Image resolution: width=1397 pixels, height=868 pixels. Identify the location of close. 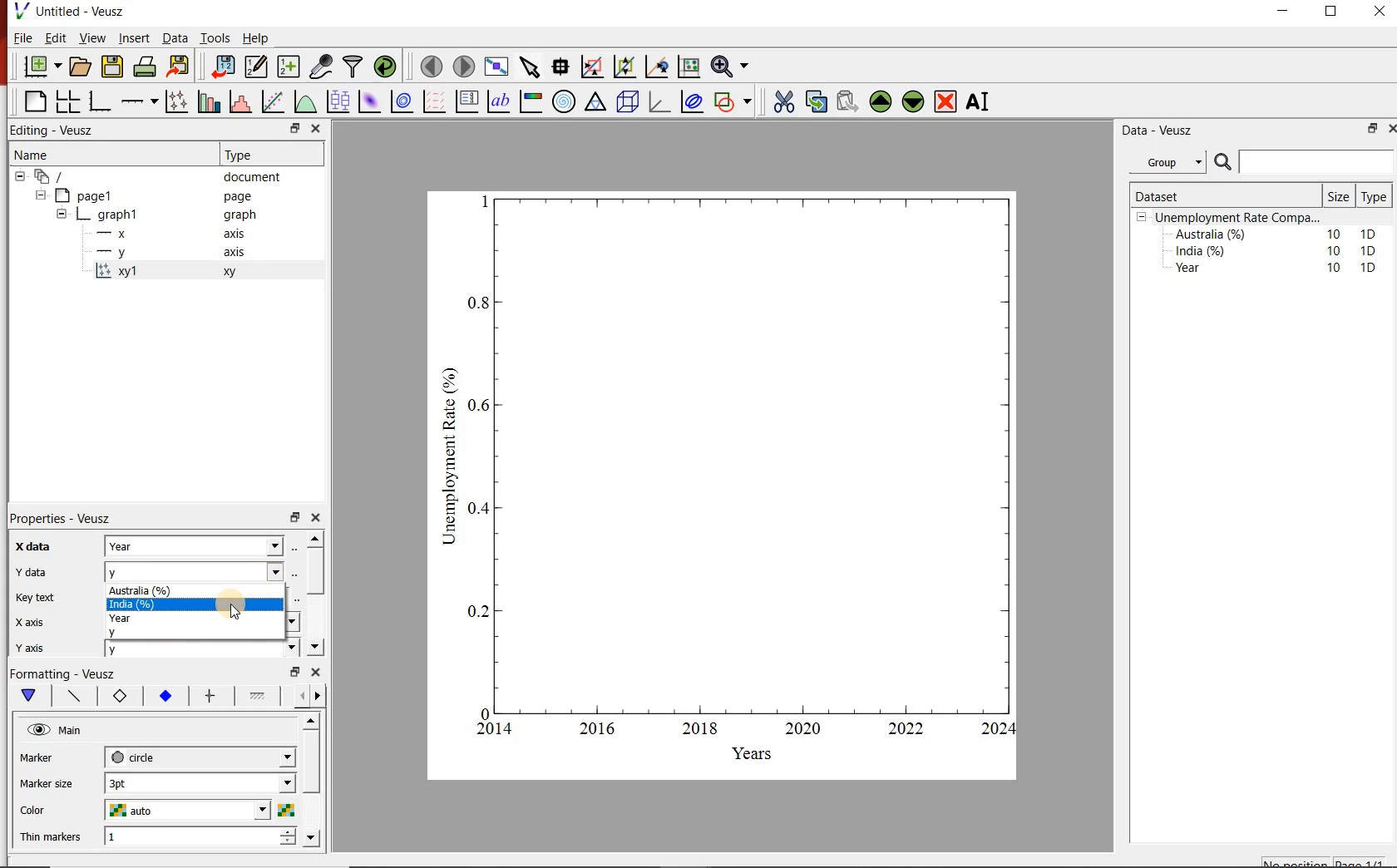
(317, 518).